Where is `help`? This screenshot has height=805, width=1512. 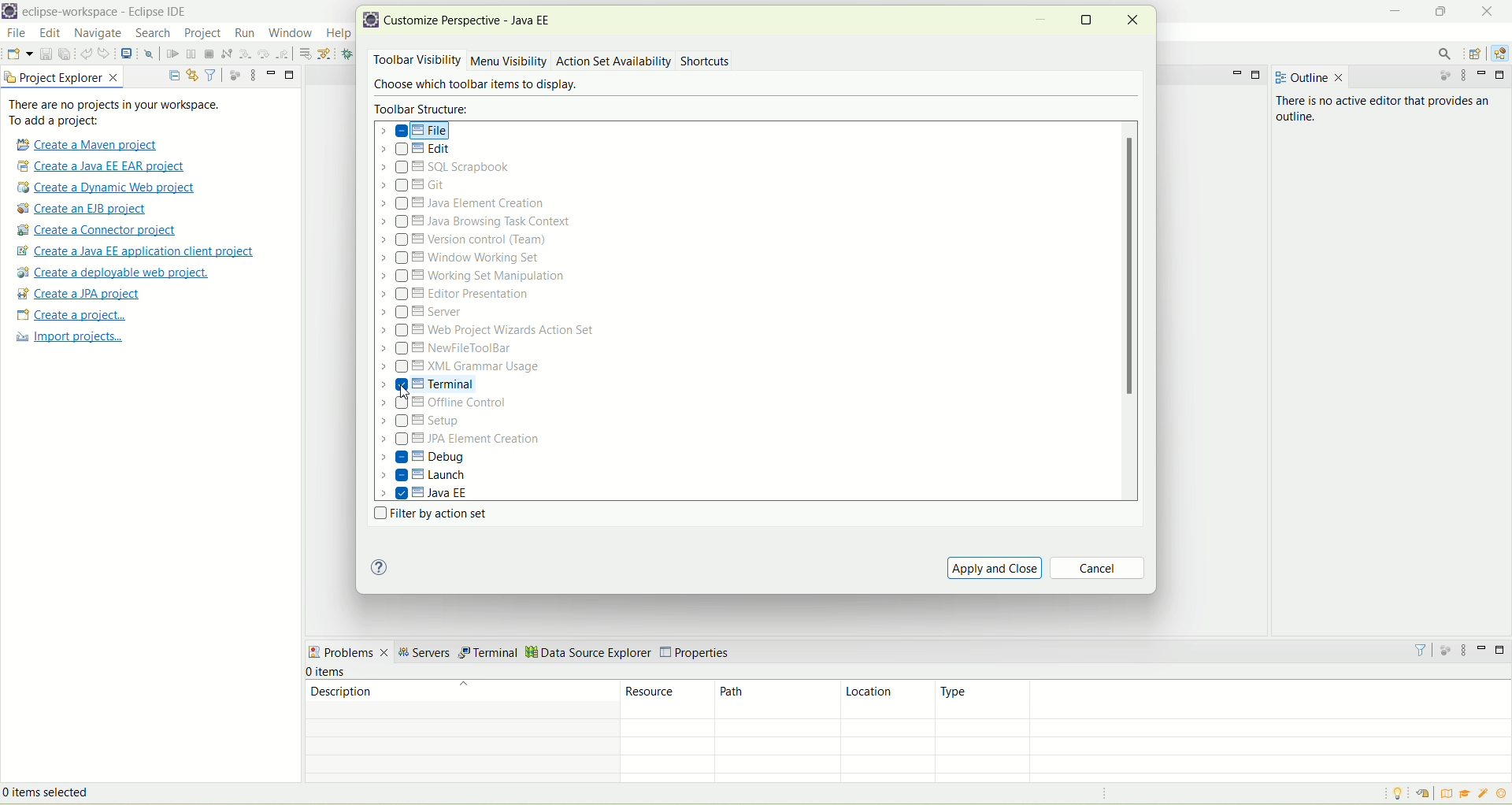
help is located at coordinates (339, 32).